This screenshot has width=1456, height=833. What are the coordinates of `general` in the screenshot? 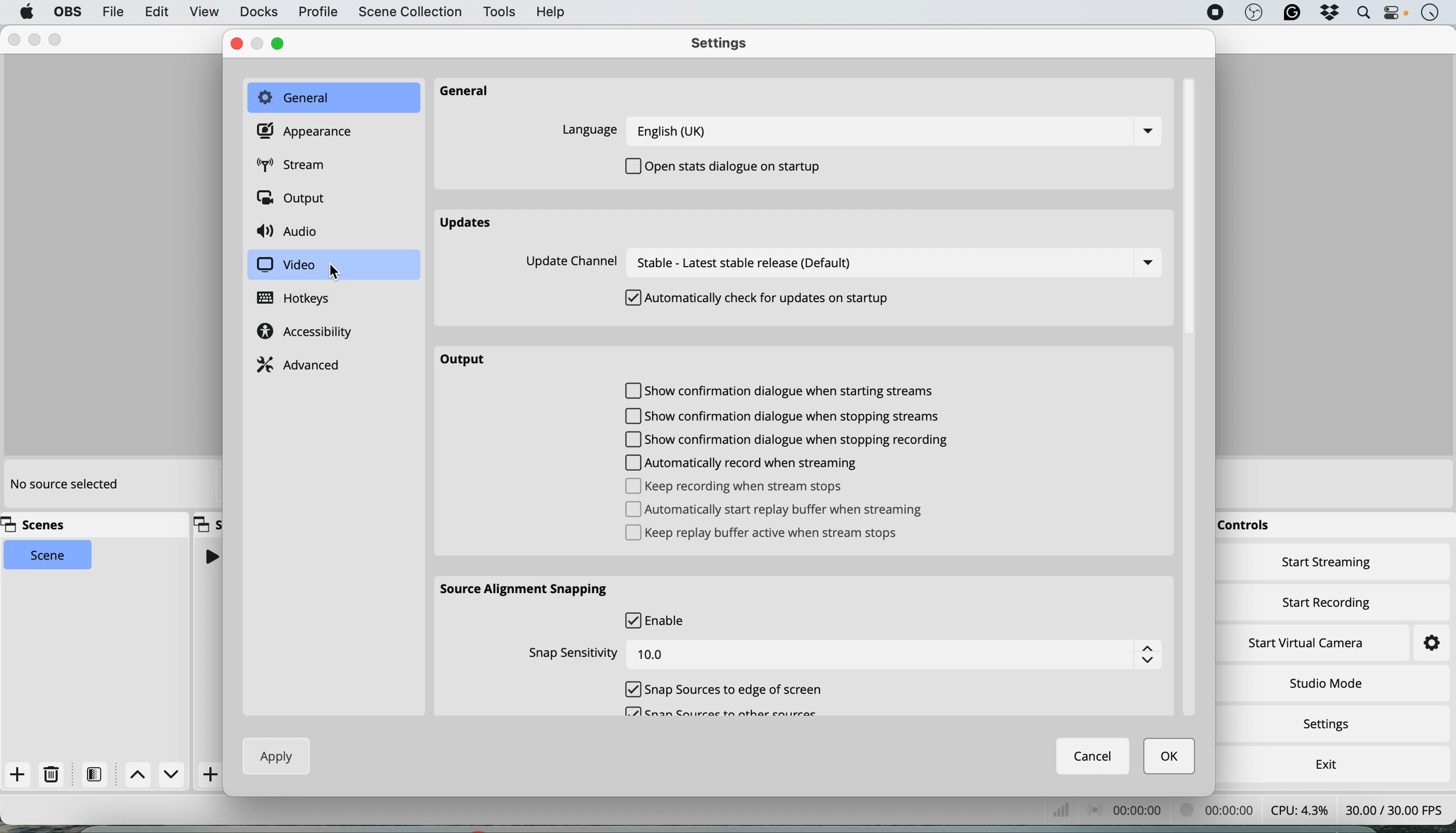 It's located at (475, 93).